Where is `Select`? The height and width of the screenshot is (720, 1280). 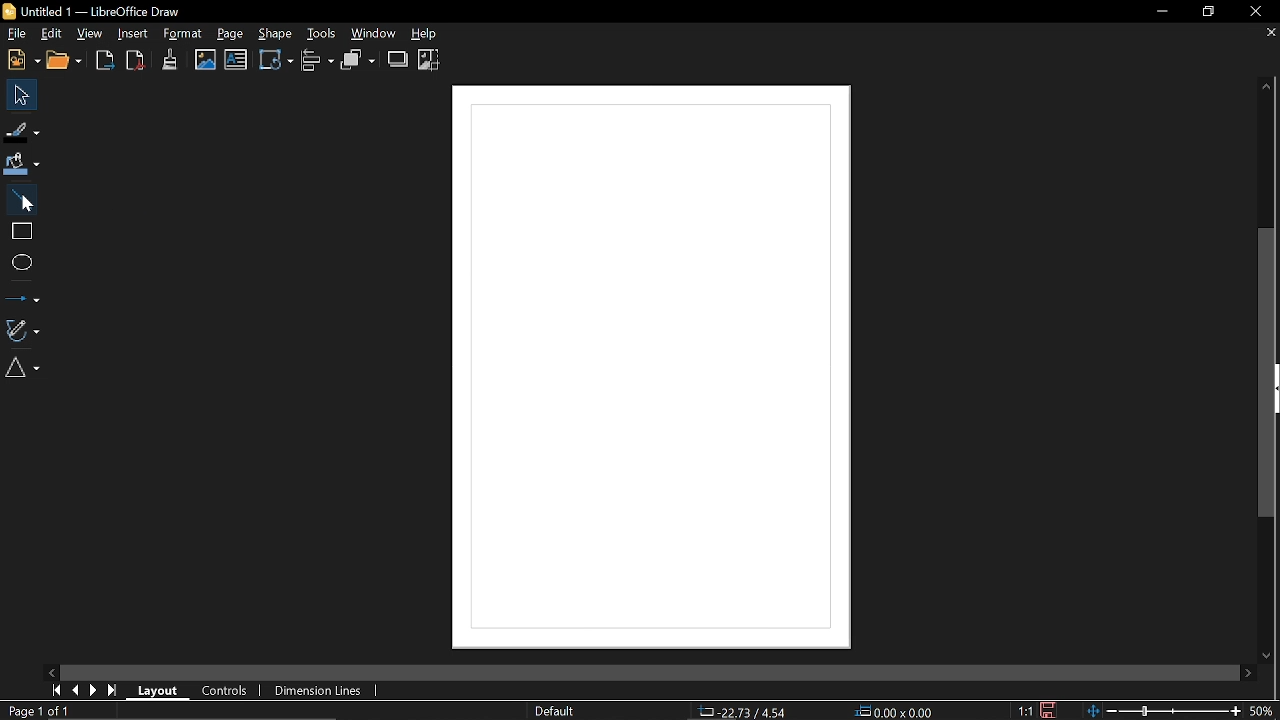 Select is located at coordinates (19, 96).